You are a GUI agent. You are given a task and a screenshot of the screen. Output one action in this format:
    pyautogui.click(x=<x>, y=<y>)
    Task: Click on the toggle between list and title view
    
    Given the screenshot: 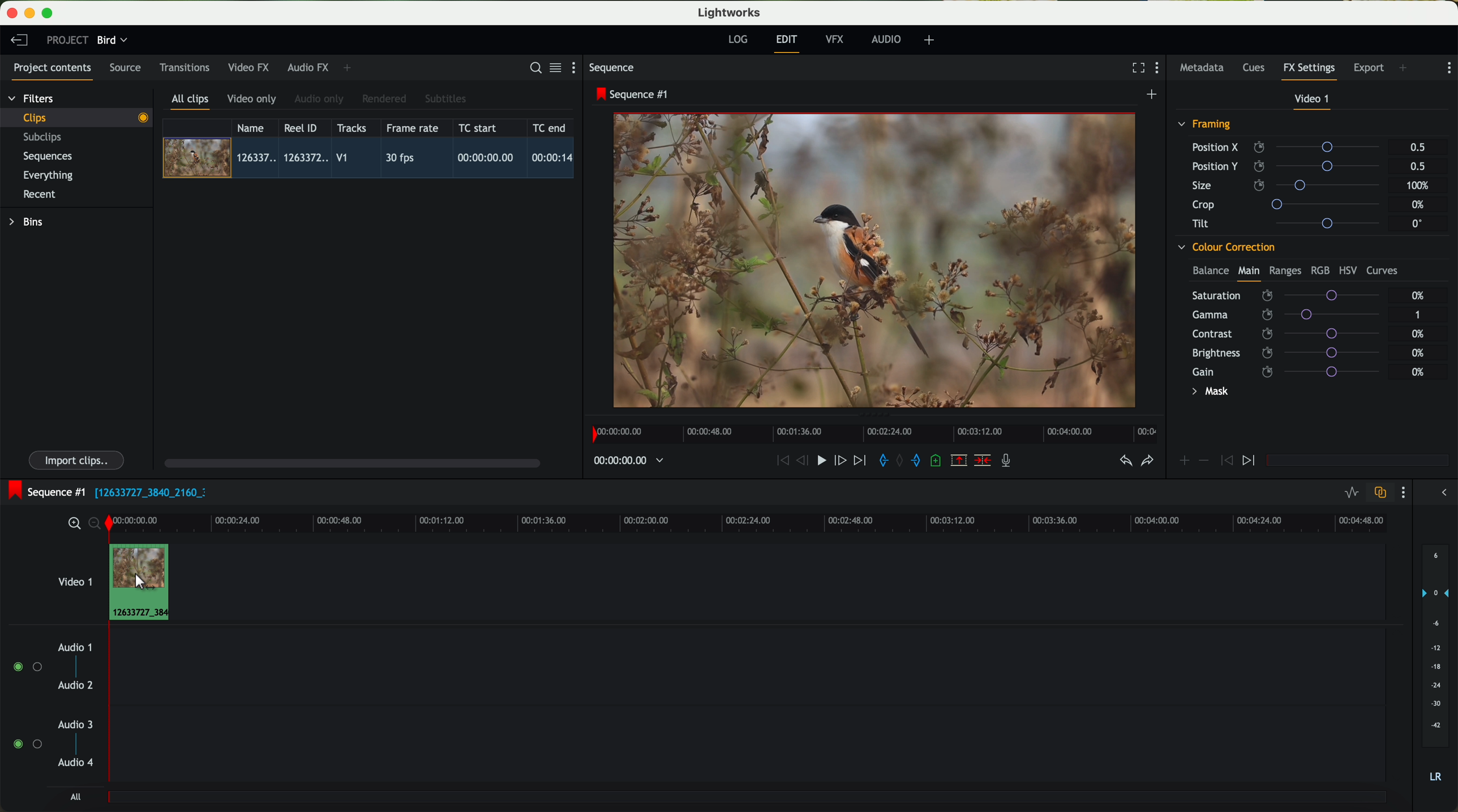 What is the action you would take?
    pyautogui.click(x=554, y=67)
    